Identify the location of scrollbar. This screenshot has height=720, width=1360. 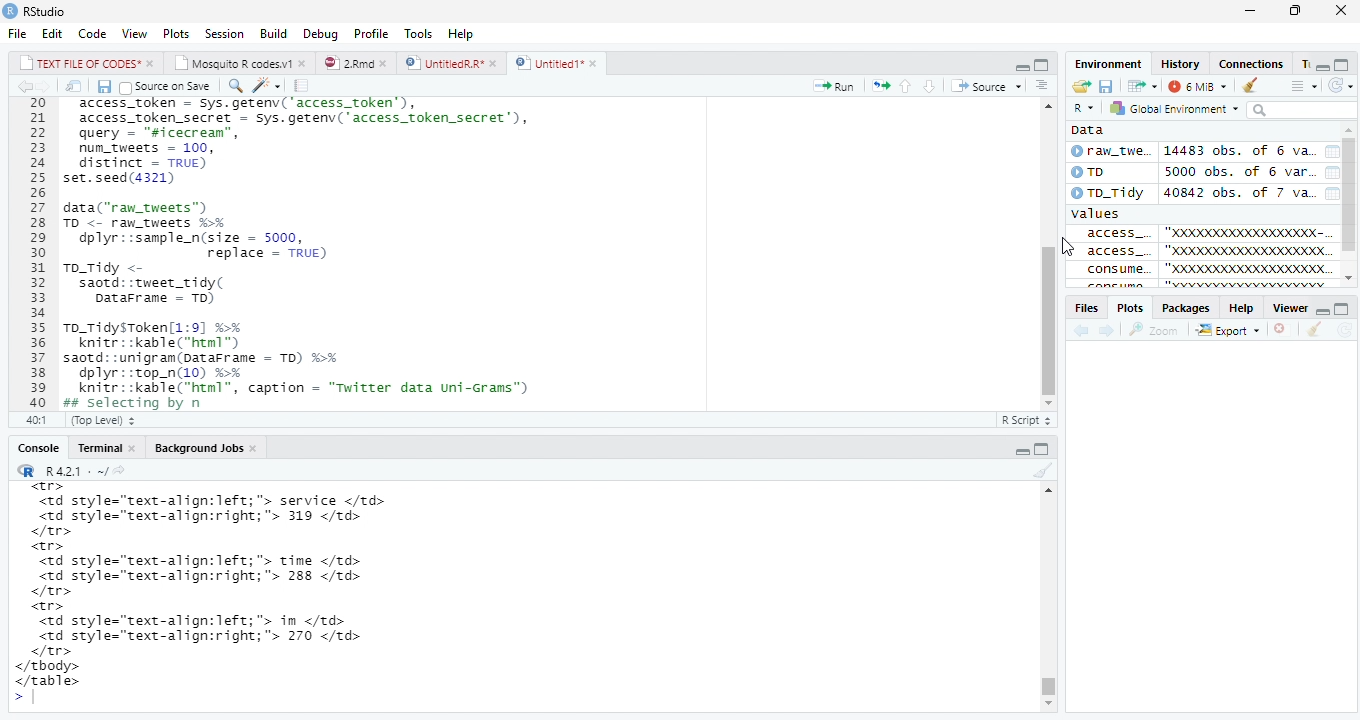
(1351, 203).